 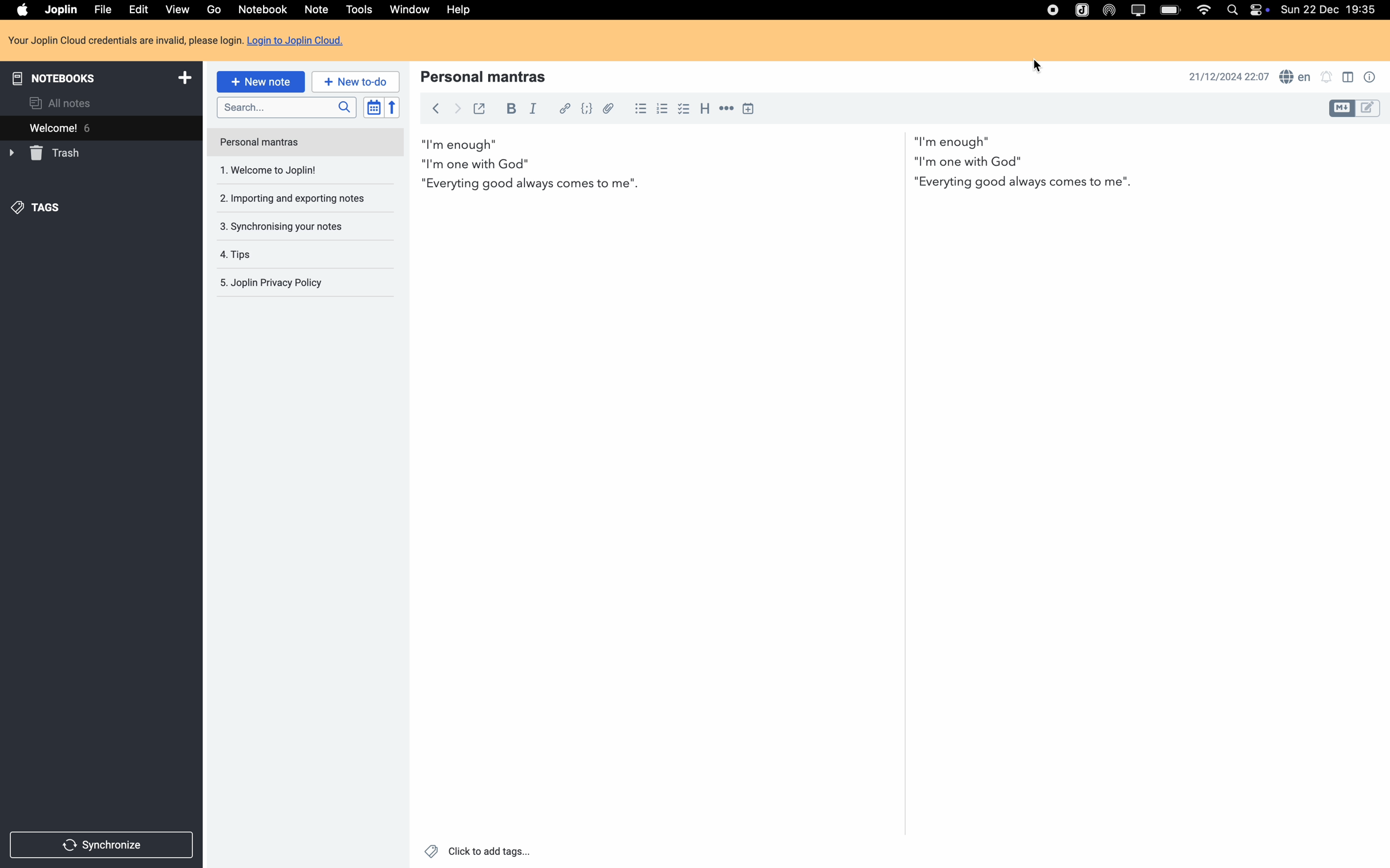 I want to click on controls, so click(x=1260, y=10).